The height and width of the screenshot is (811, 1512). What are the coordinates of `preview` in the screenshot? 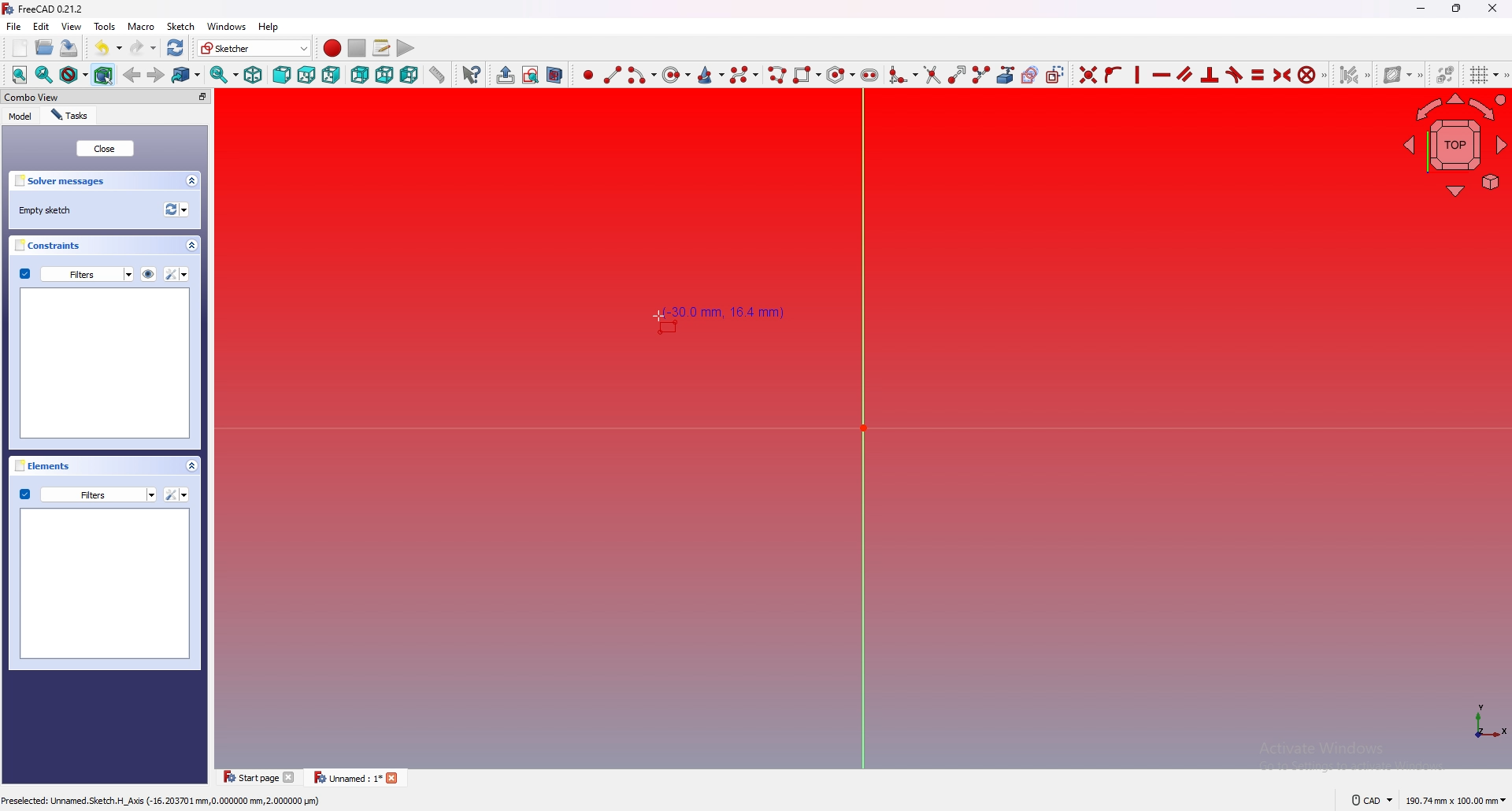 It's located at (104, 361).